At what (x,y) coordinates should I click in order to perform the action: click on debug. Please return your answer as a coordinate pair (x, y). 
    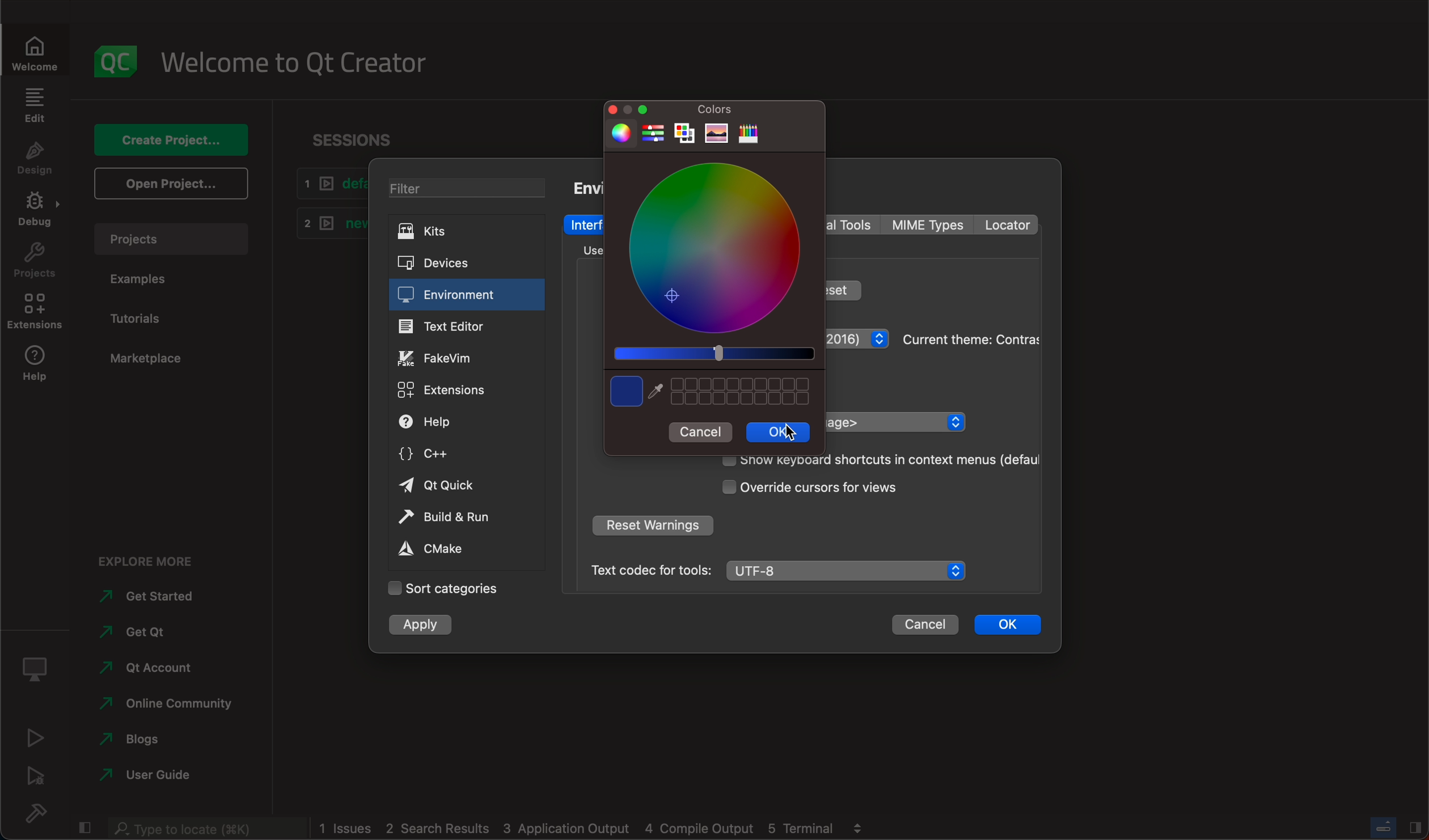
    Looking at the image, I should click on (39, 665).